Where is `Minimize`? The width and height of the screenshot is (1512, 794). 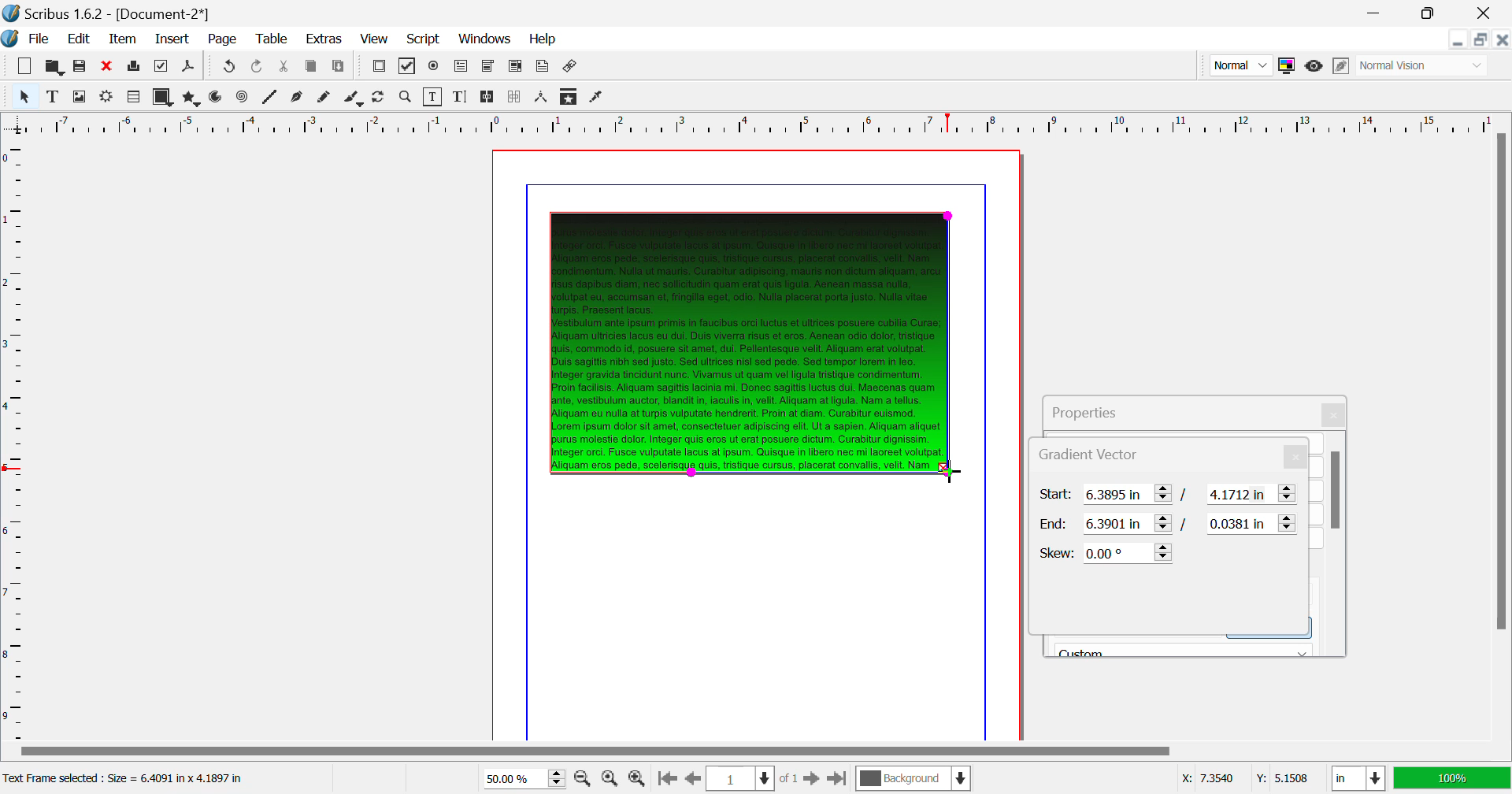 Minimize is located at coordinates (1482, 39).